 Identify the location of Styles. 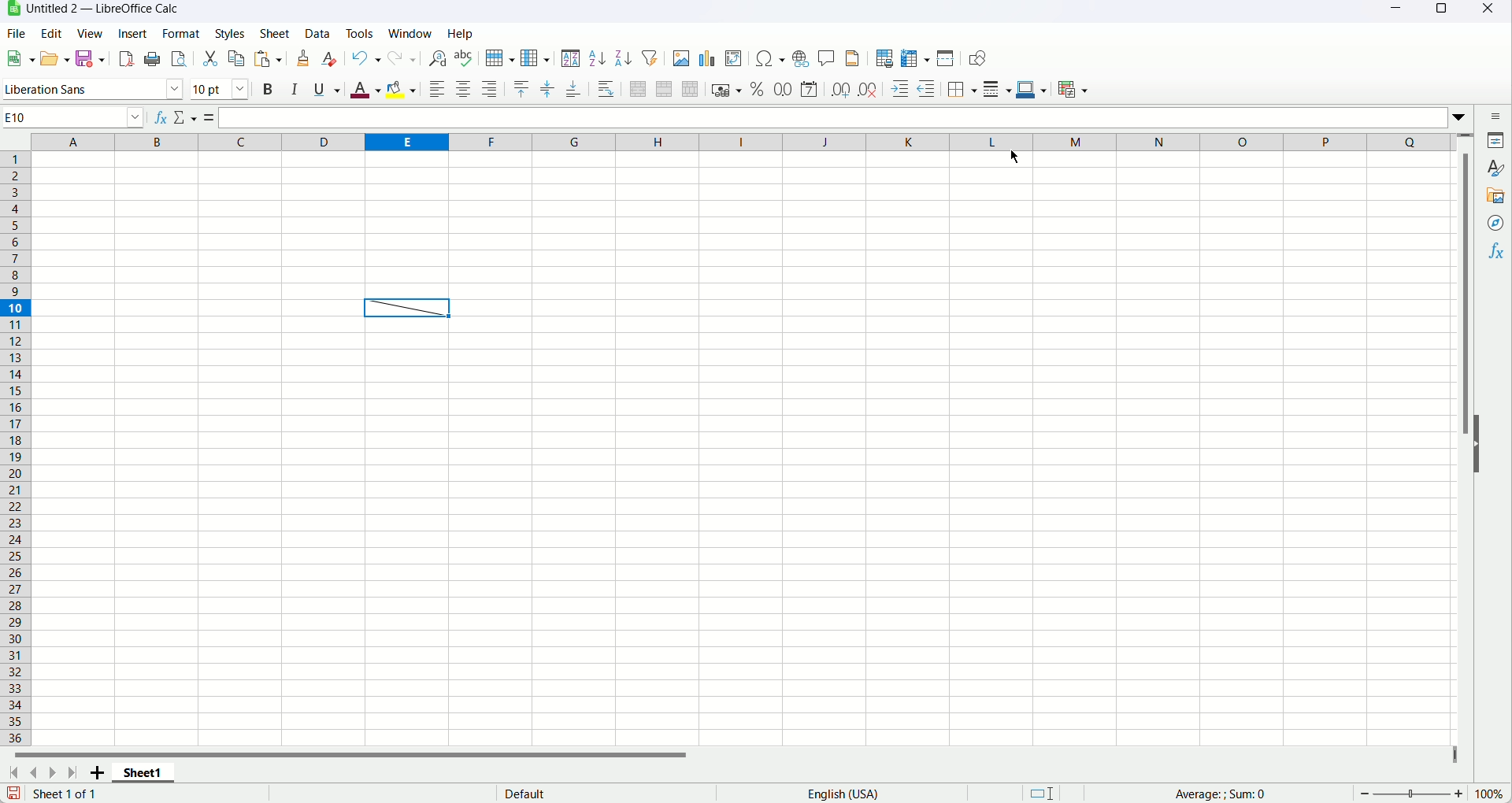
(1497, 168).